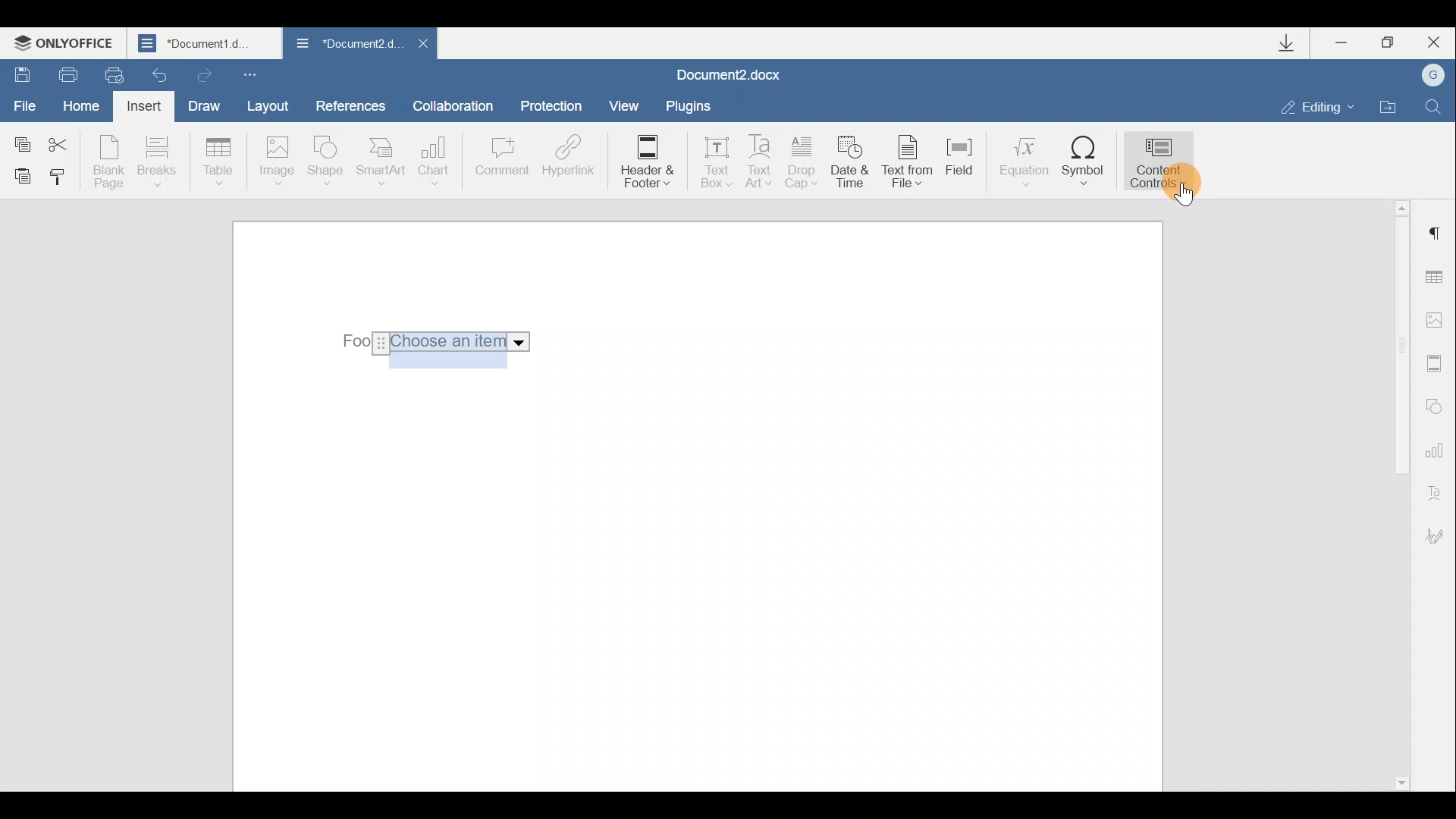 This screenshot has height=819, width=1456. I want to click on Header & footer settings, so click(1438, 362).